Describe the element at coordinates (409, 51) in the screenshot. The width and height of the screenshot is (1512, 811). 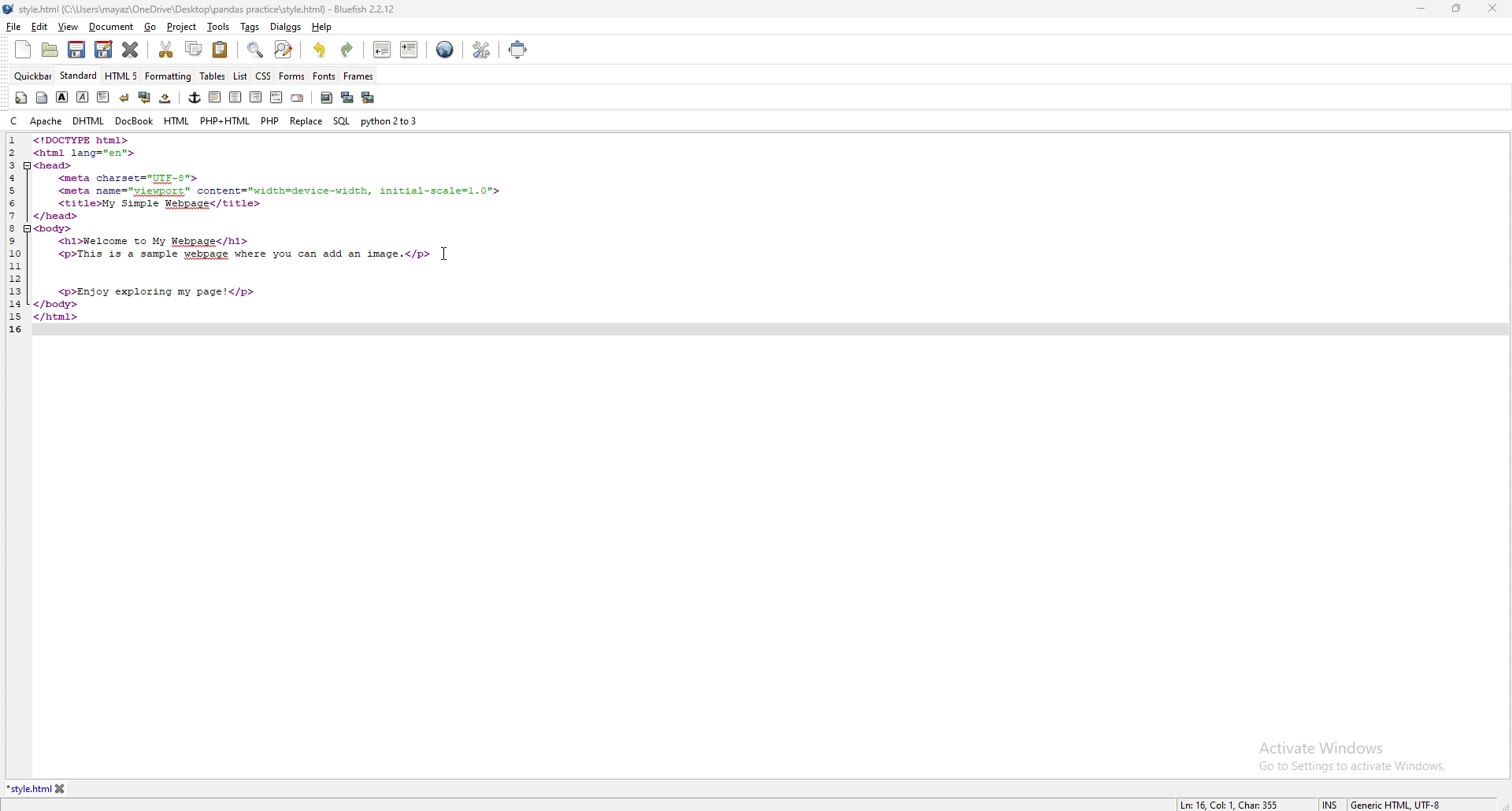
I see `indent` at that location.